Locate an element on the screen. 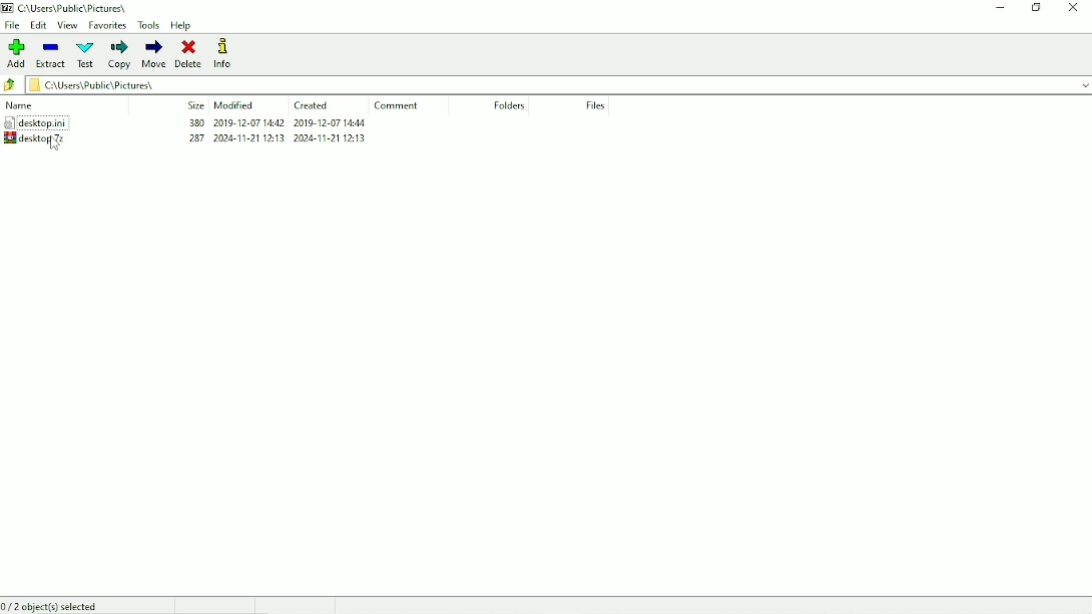  Favorites is located at coordinates (107, 26).